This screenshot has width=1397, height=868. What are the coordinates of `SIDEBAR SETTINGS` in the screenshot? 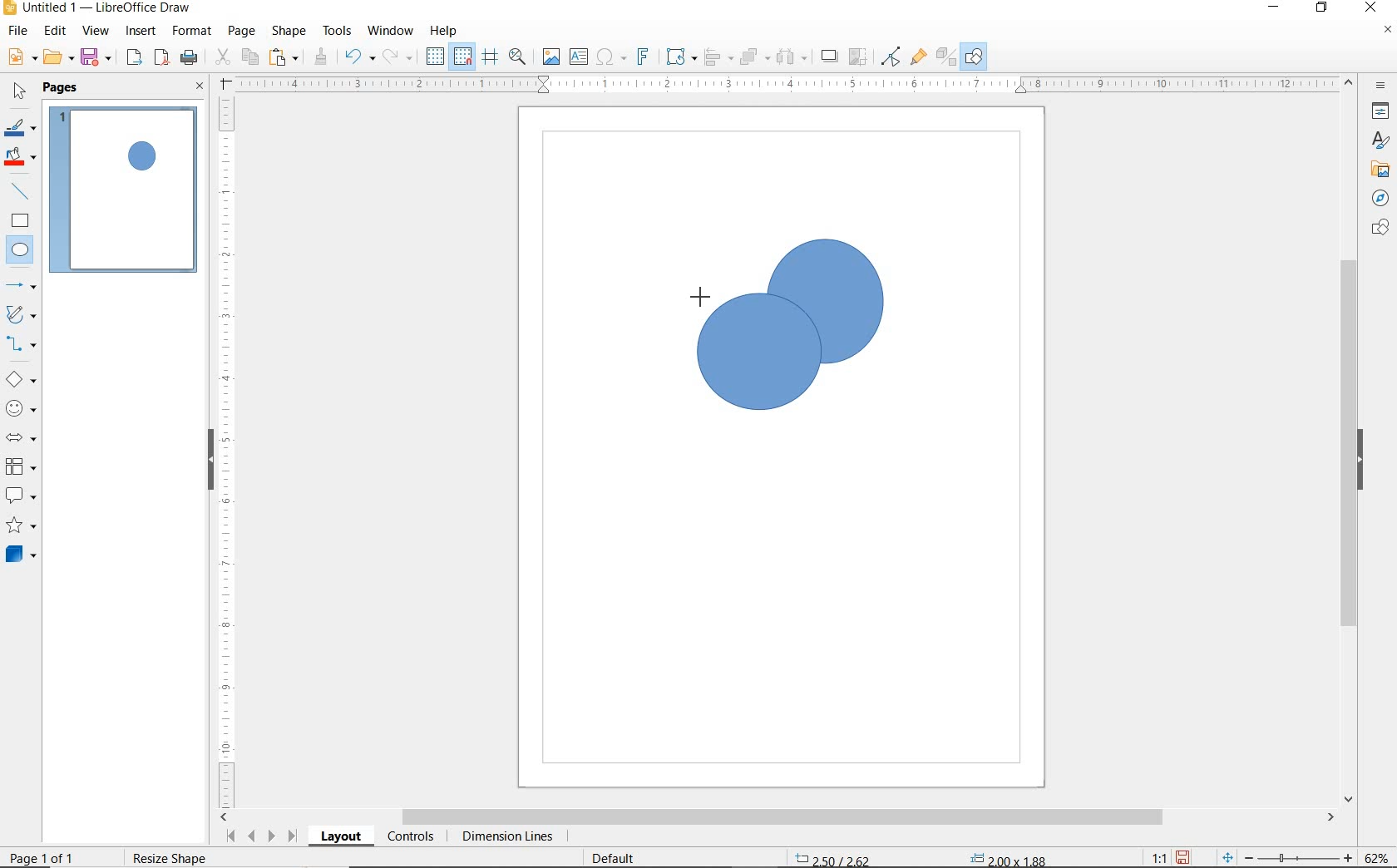 It's located at (1381, 86).